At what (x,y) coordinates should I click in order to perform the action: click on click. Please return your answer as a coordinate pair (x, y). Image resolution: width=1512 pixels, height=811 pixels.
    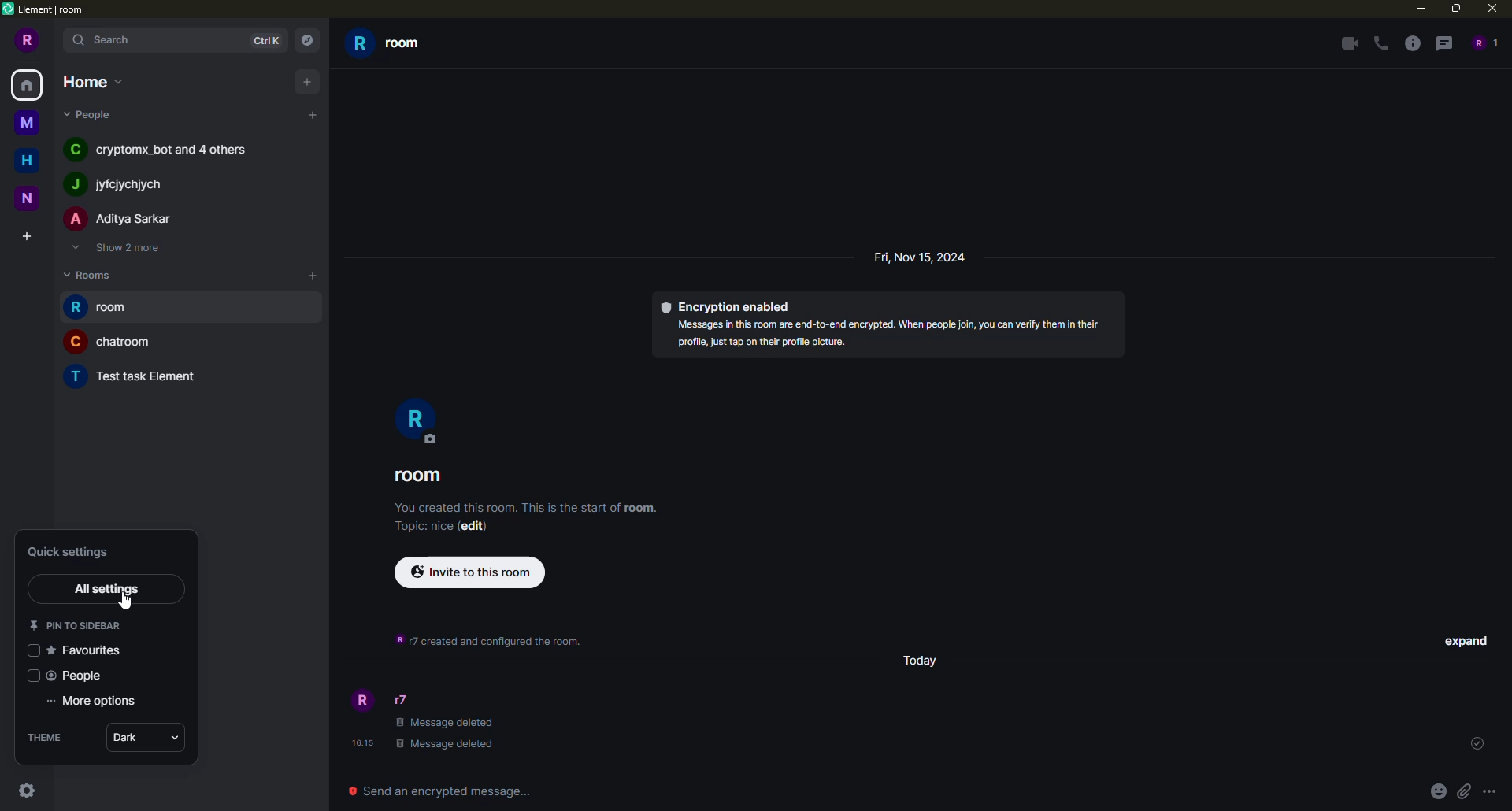
    Looking at the image, I should click on (28, 791).